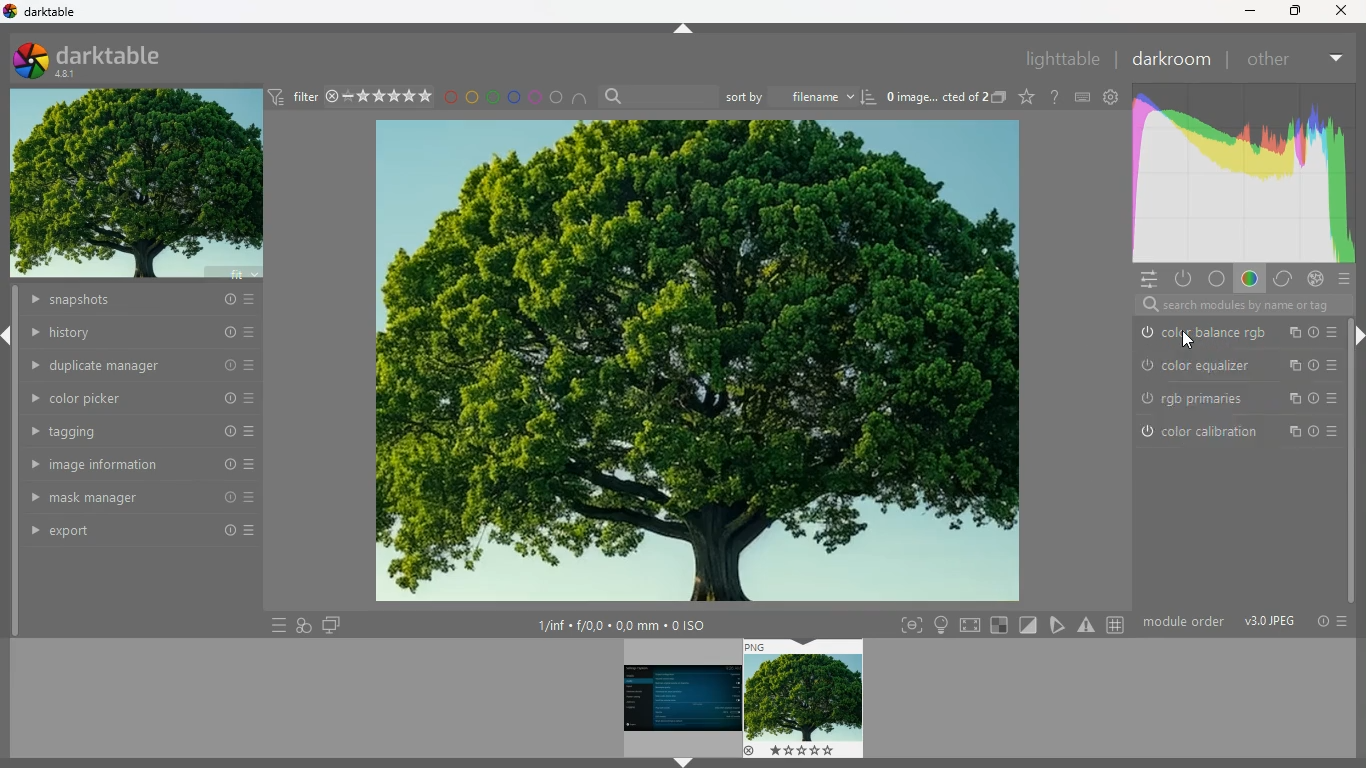  What do you see at coordinates (1247, 12) in the screenshot?
I see `minimize` at bounding box center [1247, 12].